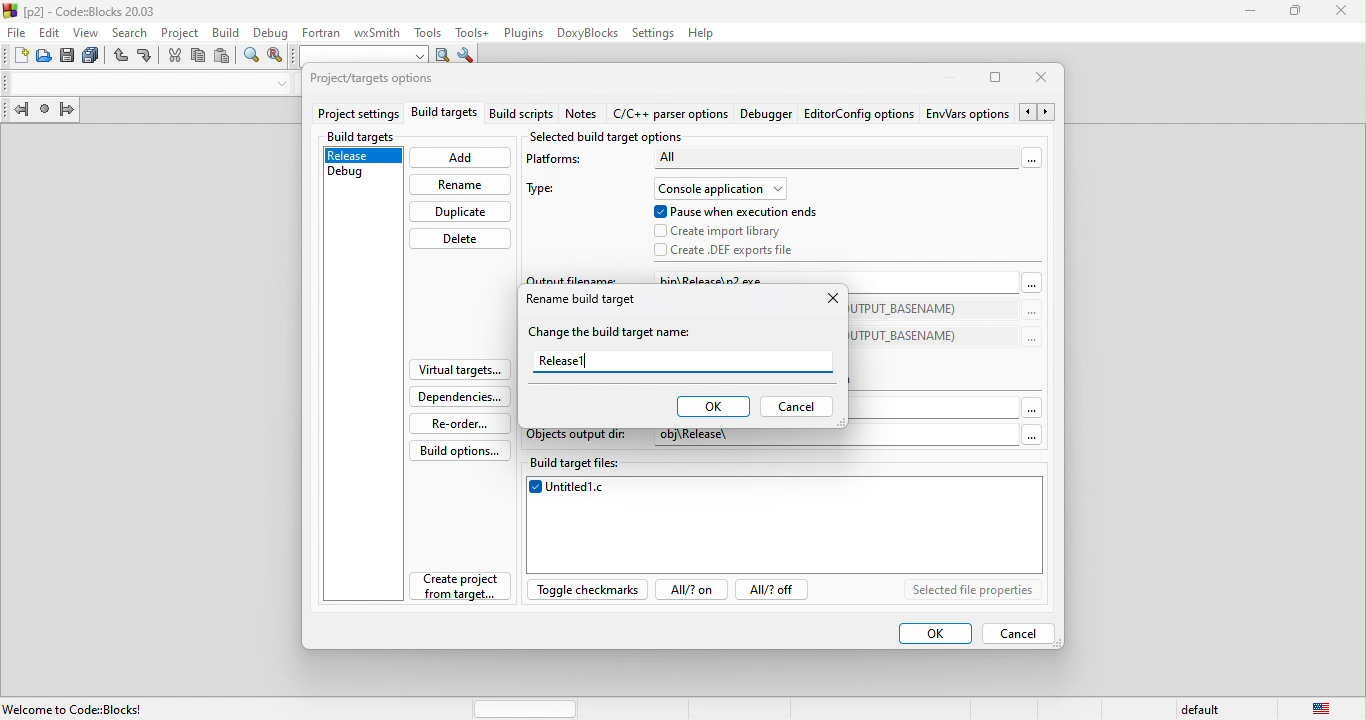  Describe the element at coordinates (468, 451) in the screenshot. I see `build options` at that location.